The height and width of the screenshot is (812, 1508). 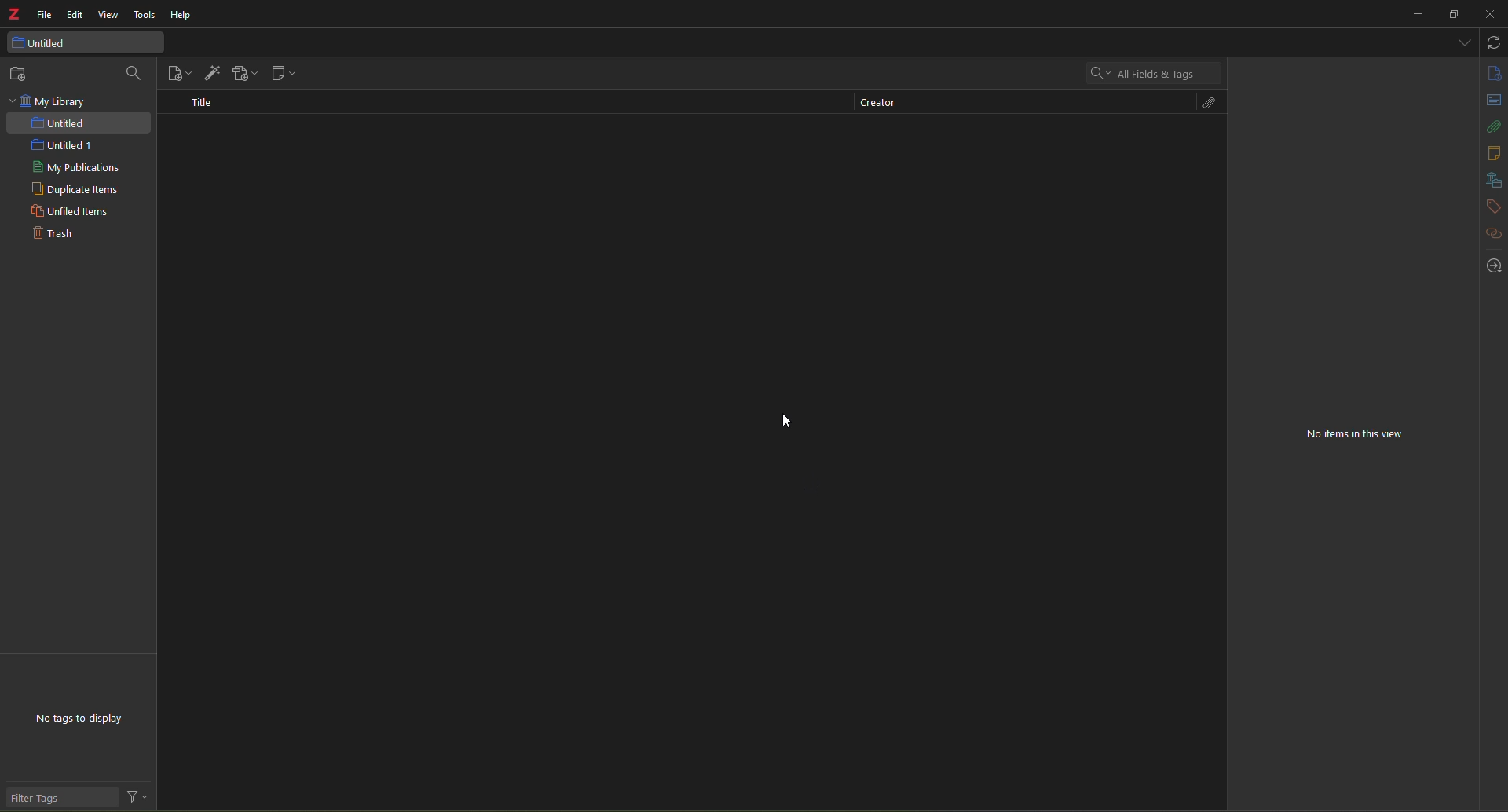 What do you see at coordinates (785, 420) in the screenshot?
I see `cursor` at bounding box center [785, 420].